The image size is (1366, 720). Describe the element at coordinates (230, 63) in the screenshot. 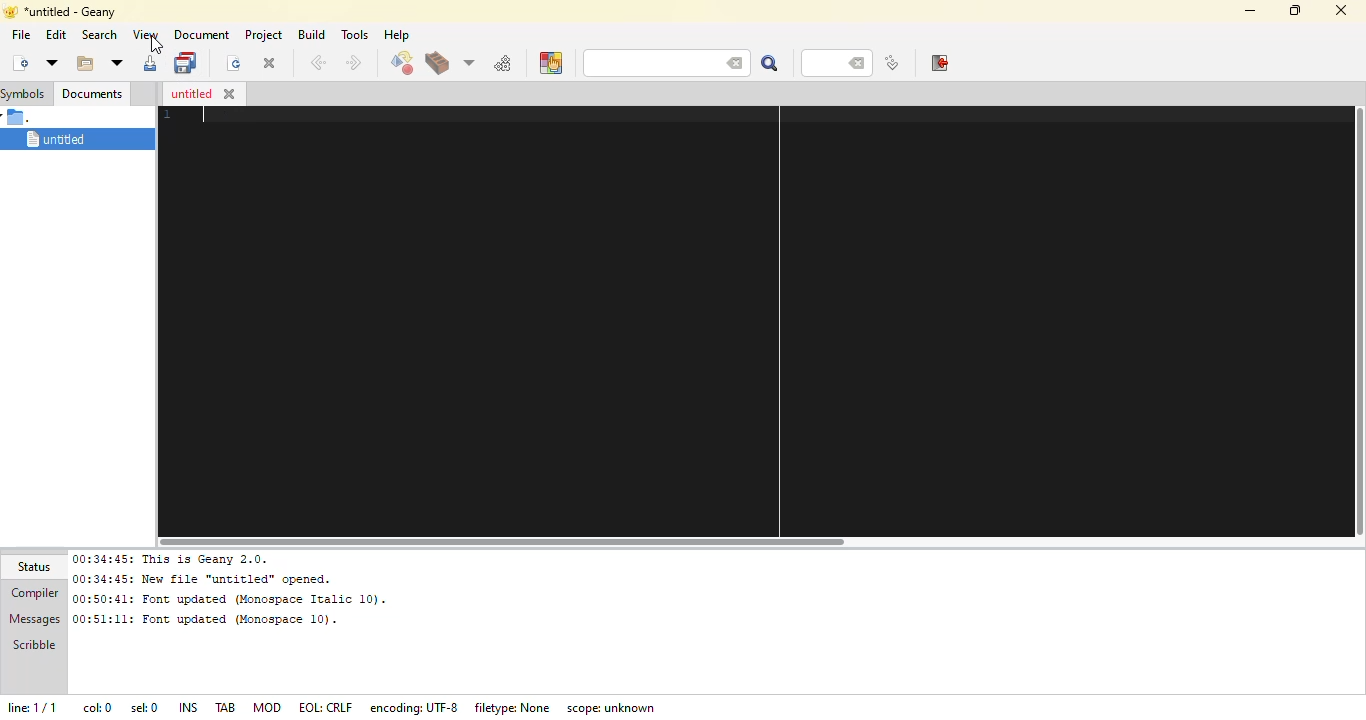

I see `reload` at that location.